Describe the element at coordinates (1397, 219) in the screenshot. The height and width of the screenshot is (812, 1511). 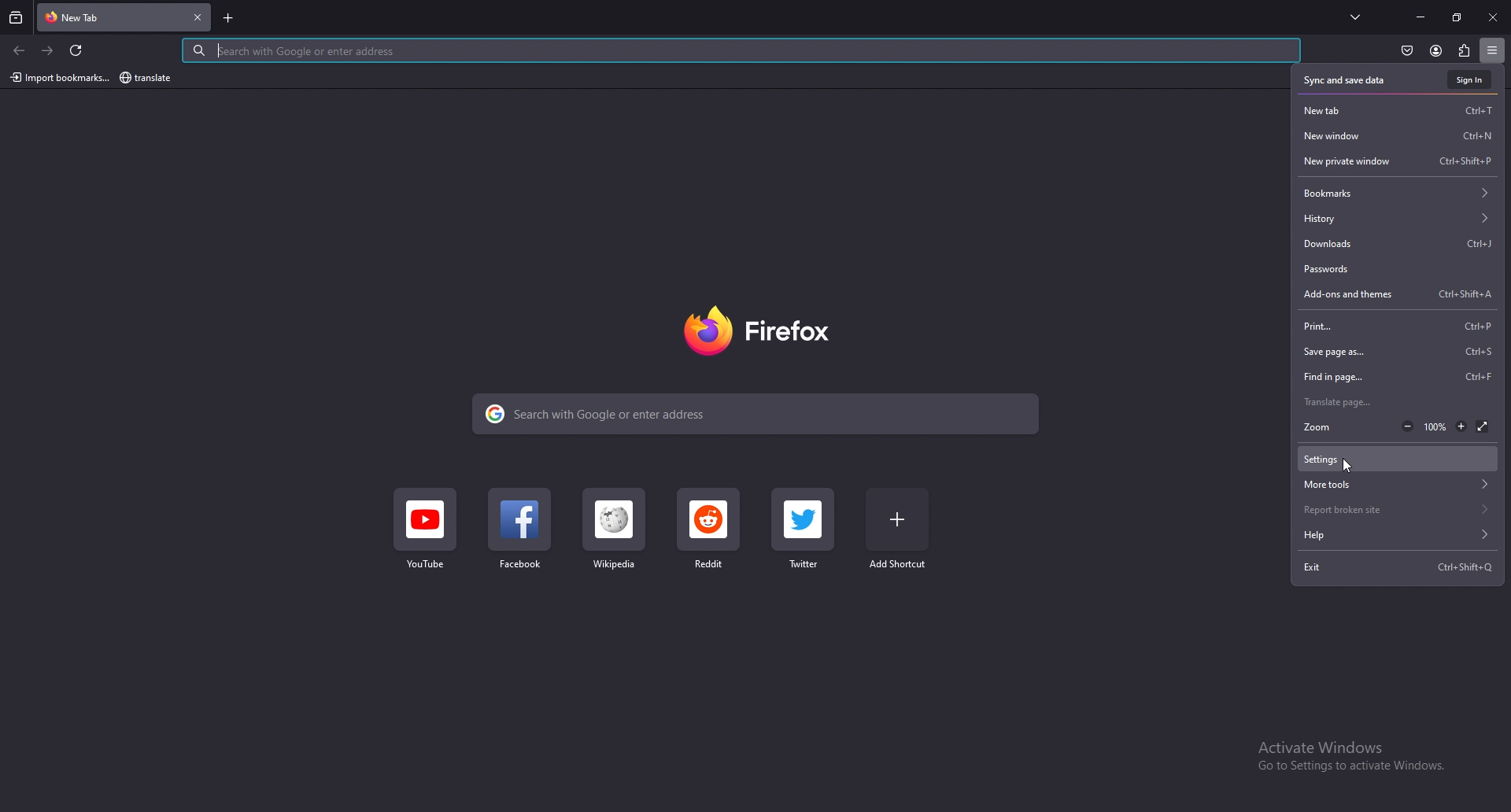
I see `history` at that location.